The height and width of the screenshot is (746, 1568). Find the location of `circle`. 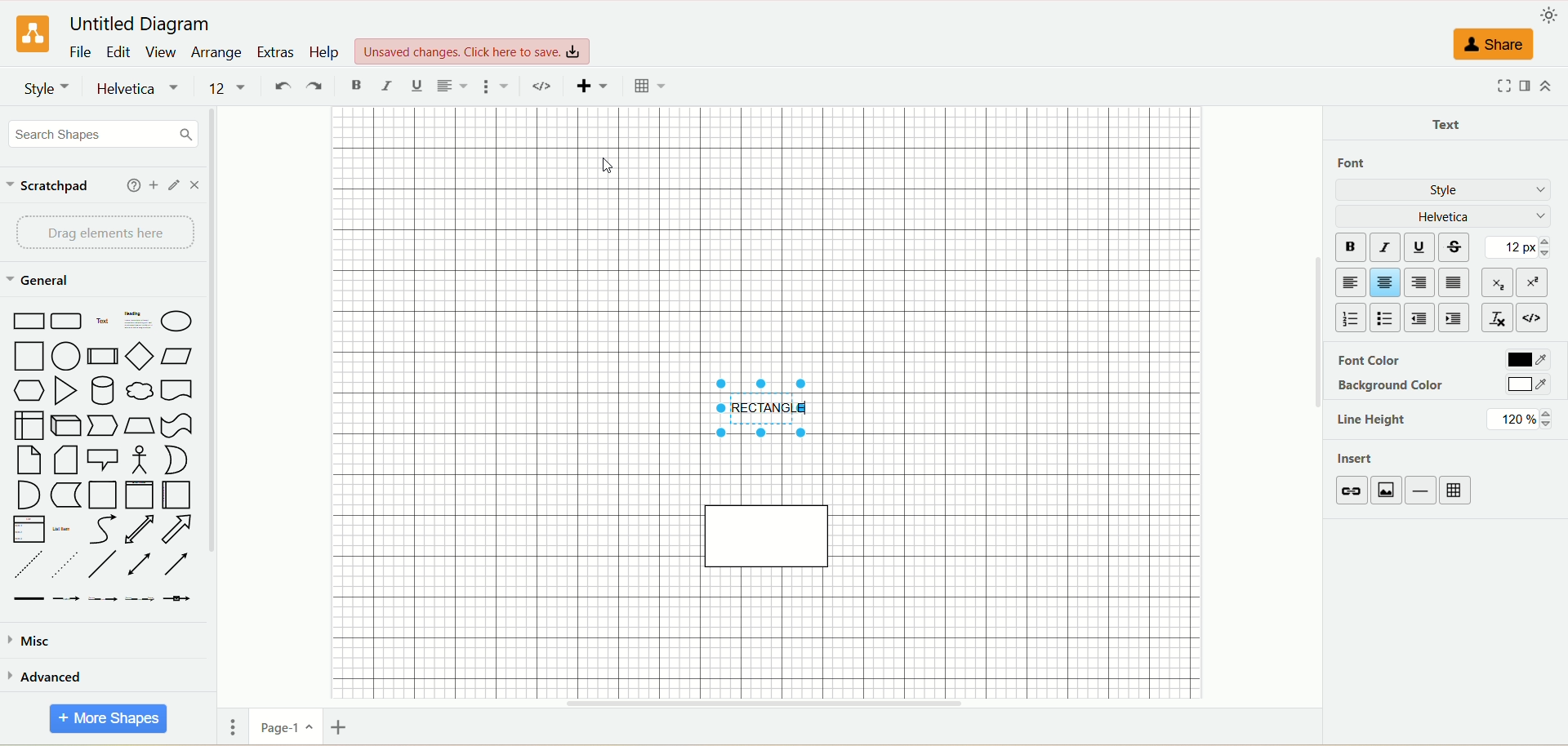

circle is located at coordinates (66, 356).